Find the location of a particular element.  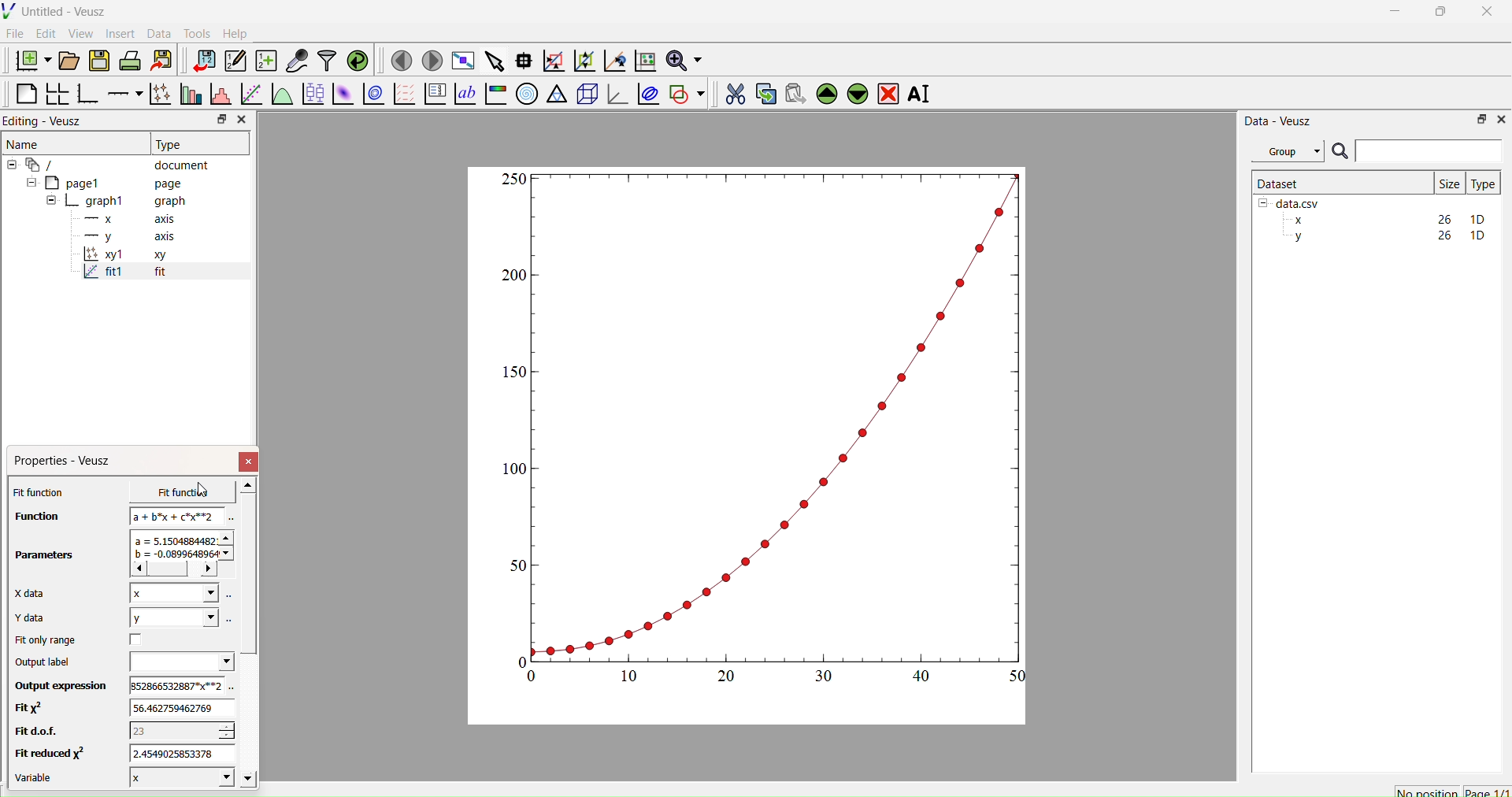

Restore Down is located at coordinates (1437, 13).